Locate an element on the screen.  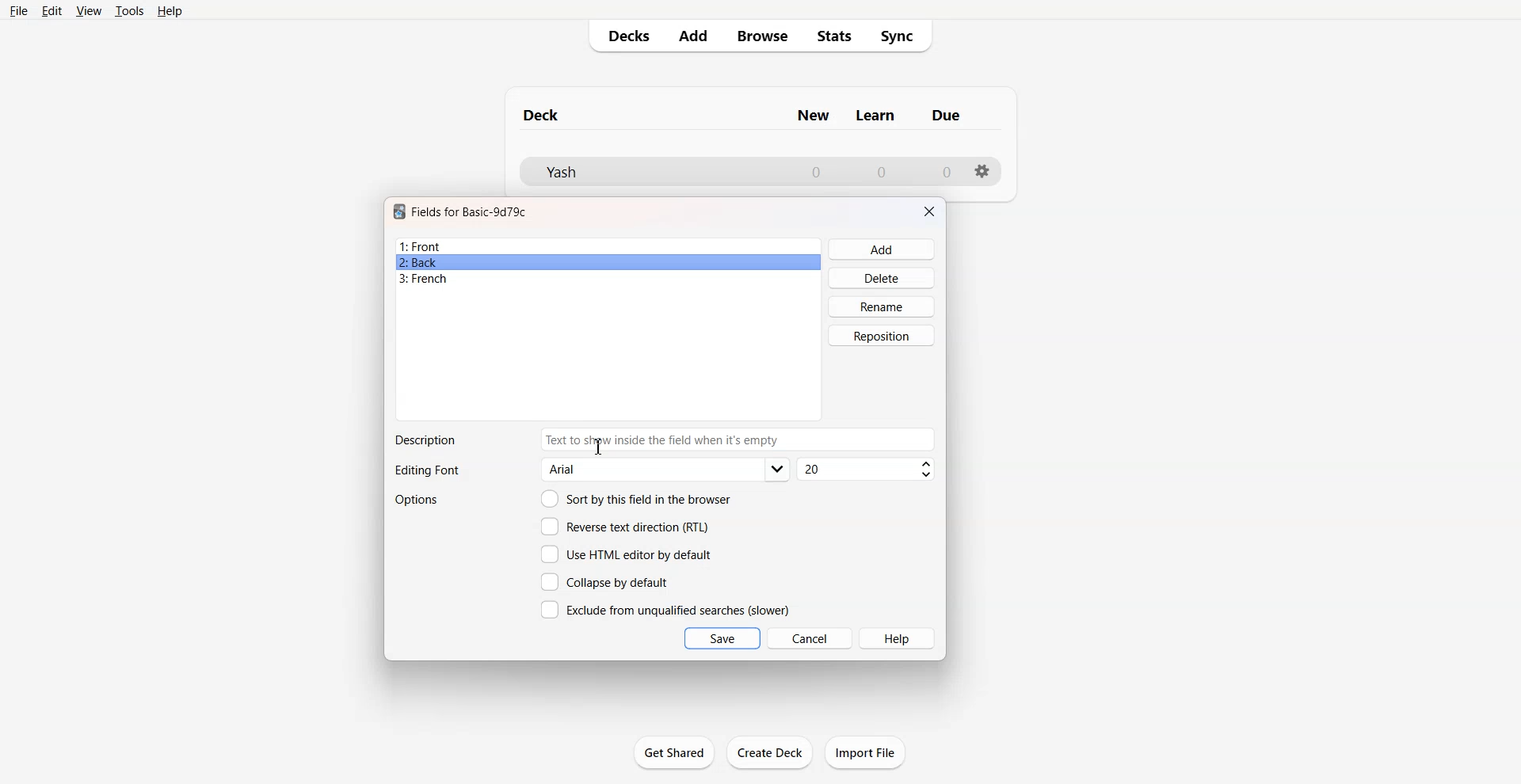
Add is located at coordinates (692, 36).